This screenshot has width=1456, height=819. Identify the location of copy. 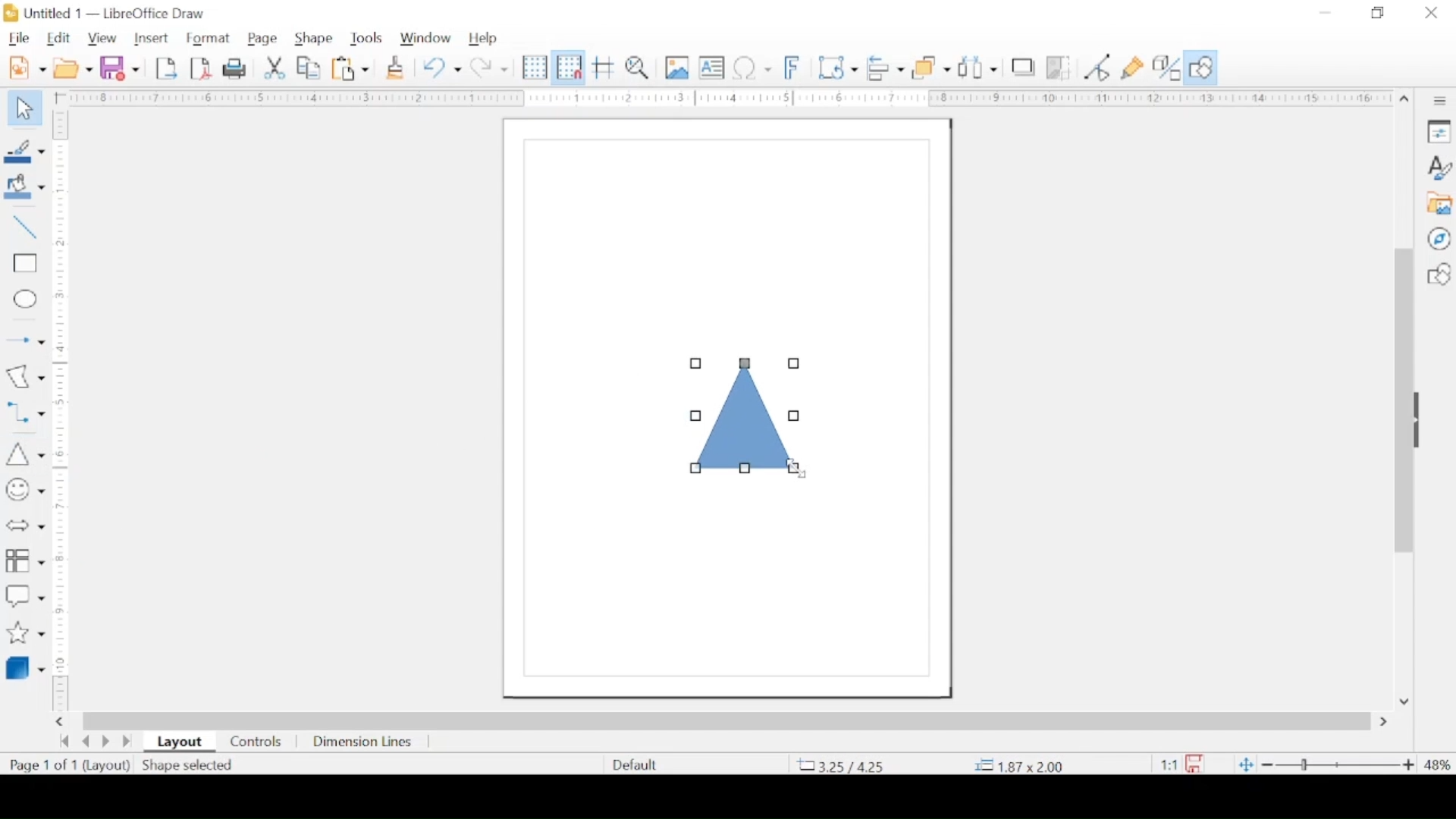
(310, 69).